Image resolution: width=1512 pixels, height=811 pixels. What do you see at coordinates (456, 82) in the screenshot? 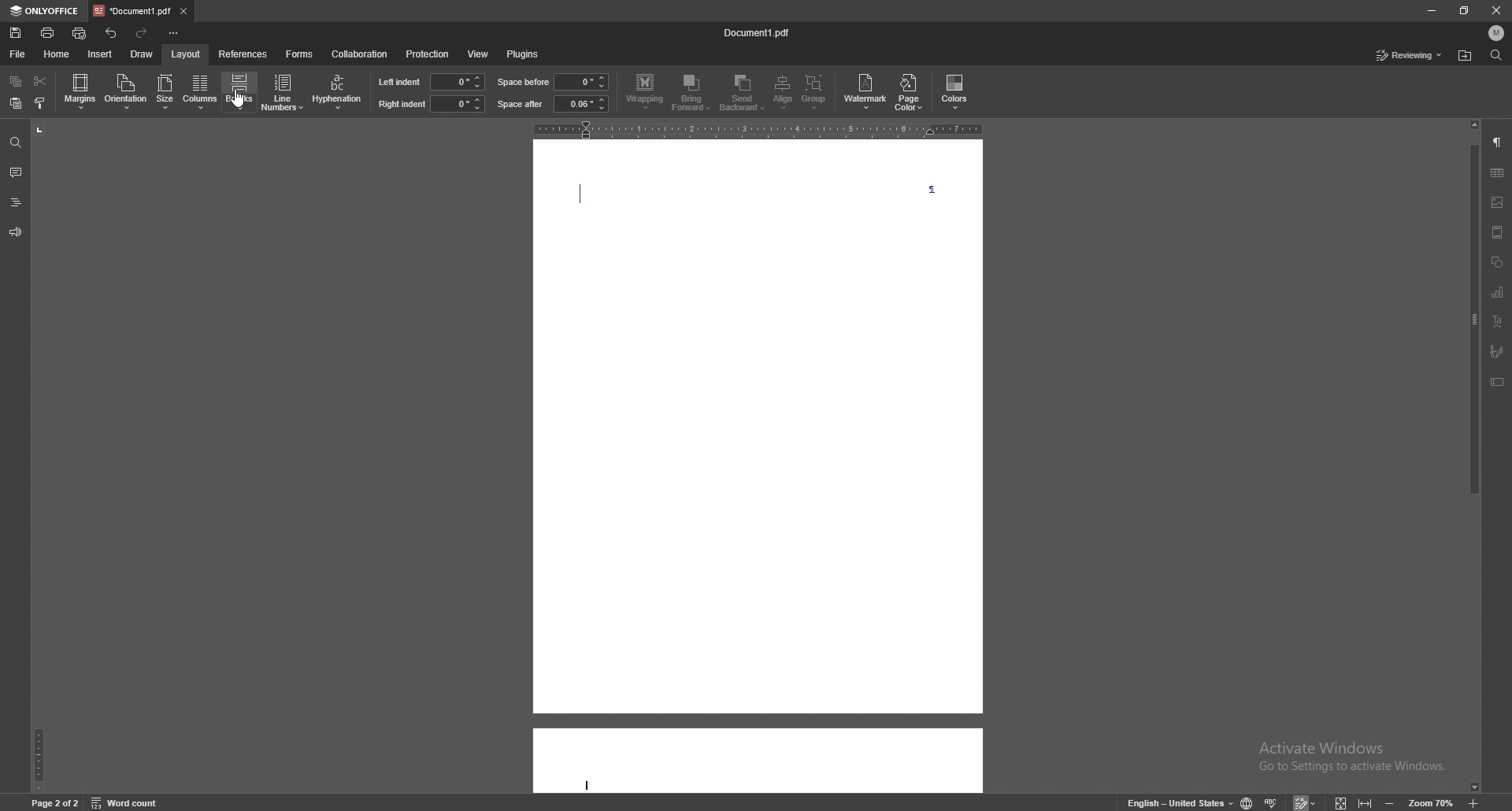
I see `input left indent` at bounding box center [456, 82].